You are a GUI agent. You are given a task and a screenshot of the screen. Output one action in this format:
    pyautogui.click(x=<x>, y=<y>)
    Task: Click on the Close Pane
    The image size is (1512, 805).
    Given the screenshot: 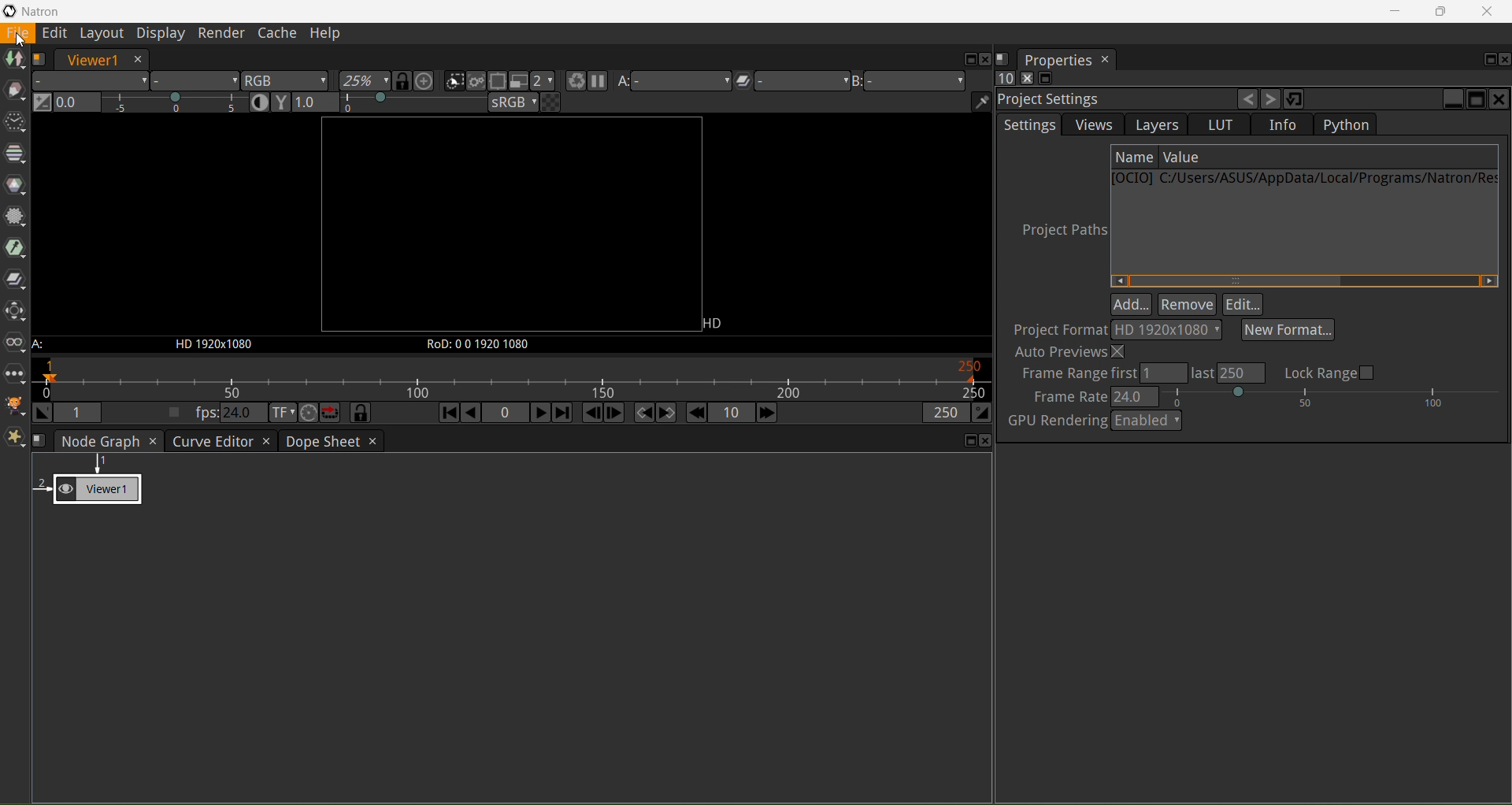 What is the action you would take?
    pyautogui.click(x=1503, y=59)
    